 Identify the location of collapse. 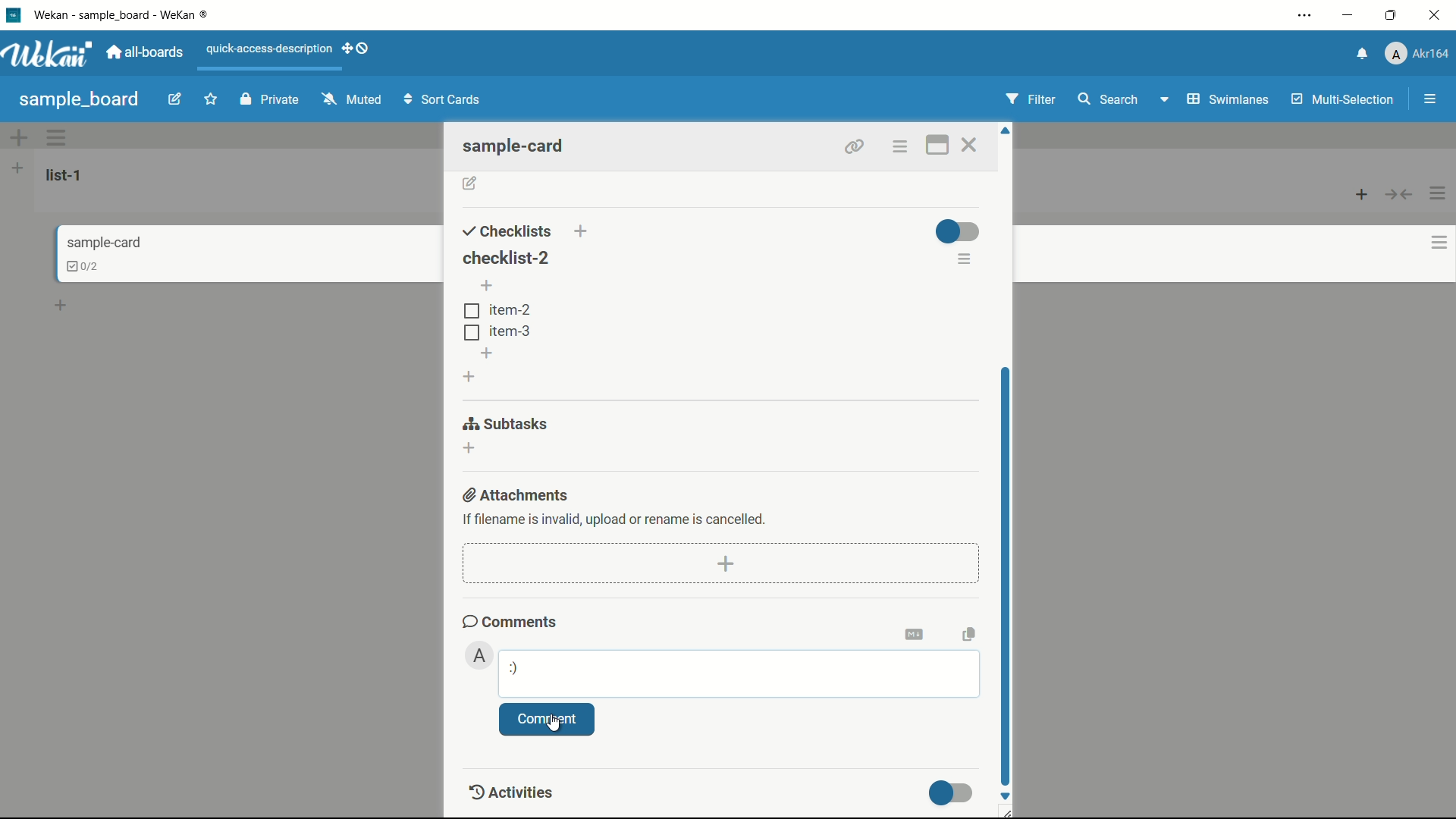
(1400, 196).